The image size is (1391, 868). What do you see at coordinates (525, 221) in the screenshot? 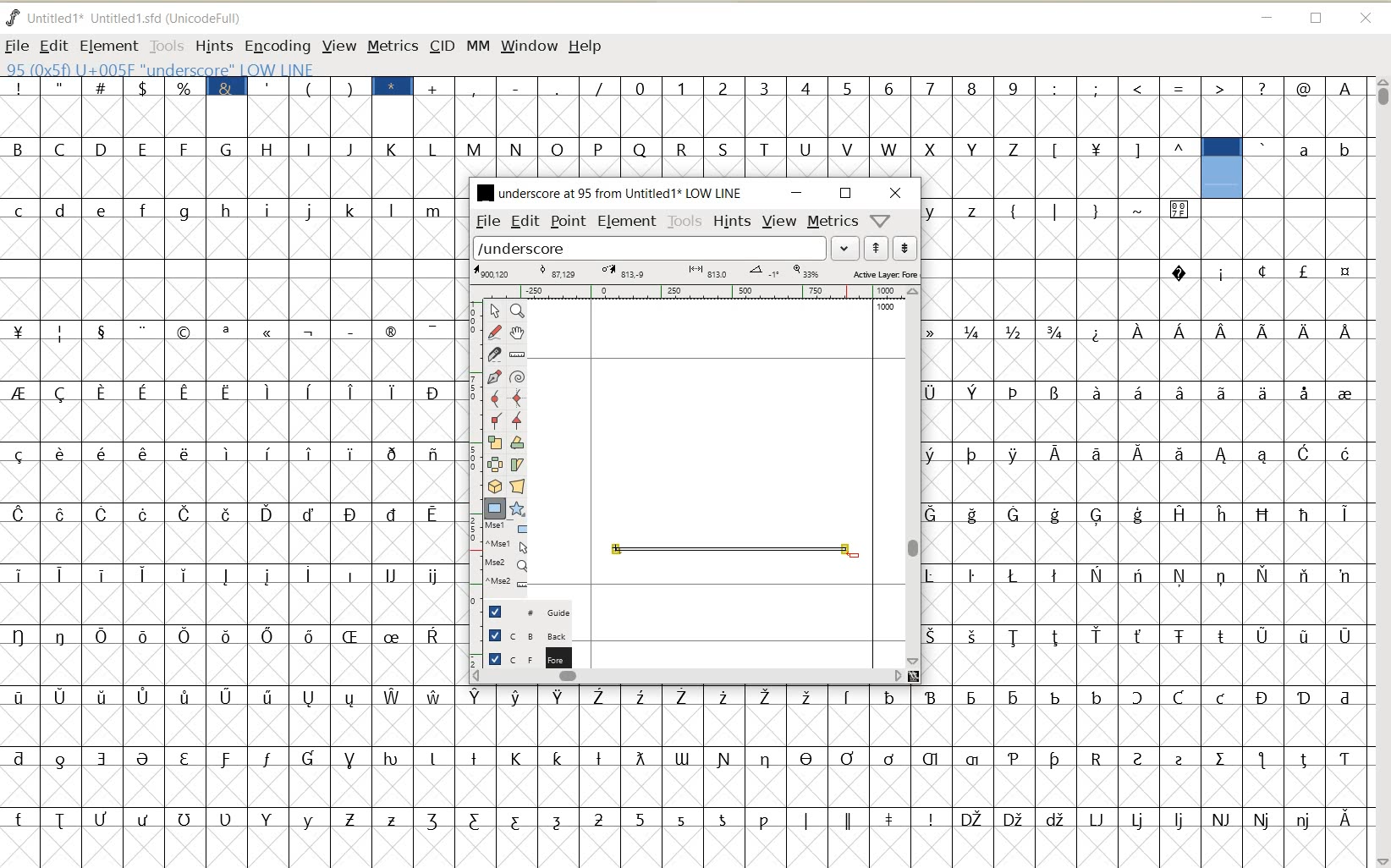
I see `EDIT` at bounding box center [525, 221].